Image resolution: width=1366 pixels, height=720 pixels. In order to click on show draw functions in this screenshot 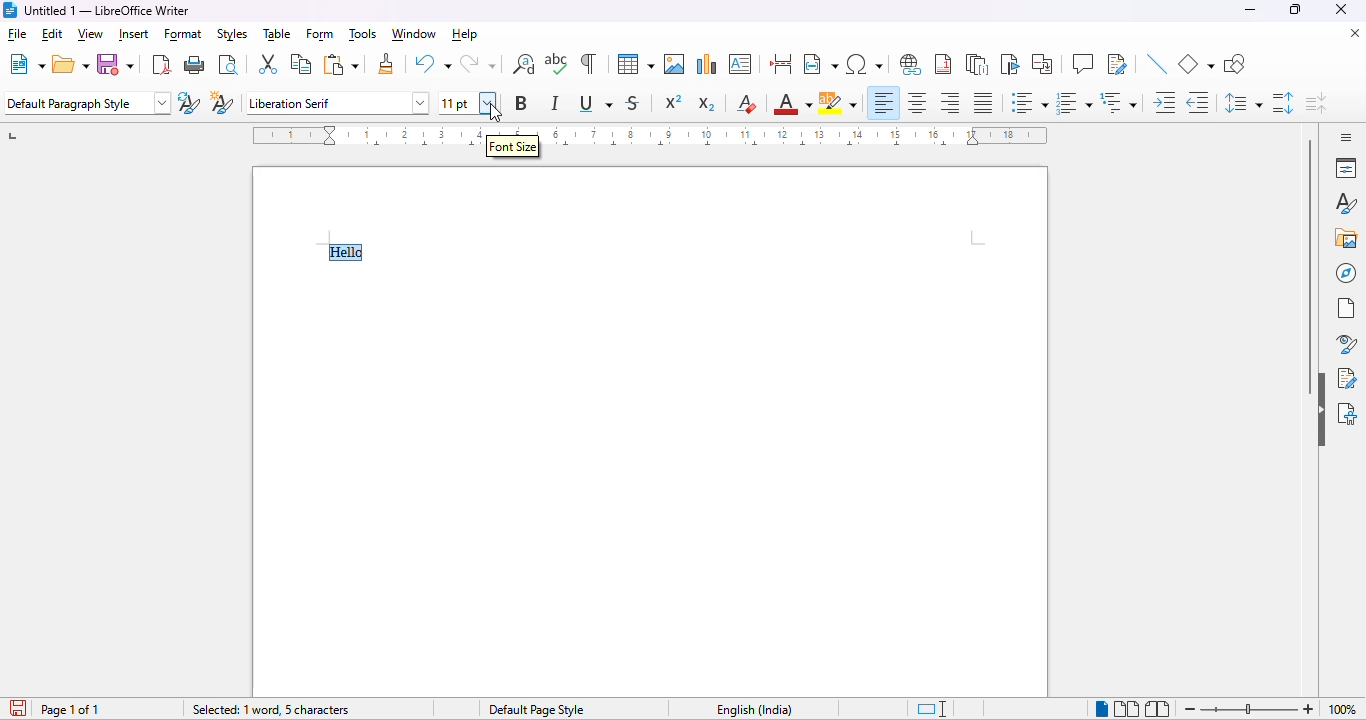, I will do `click(1234, 65)`.